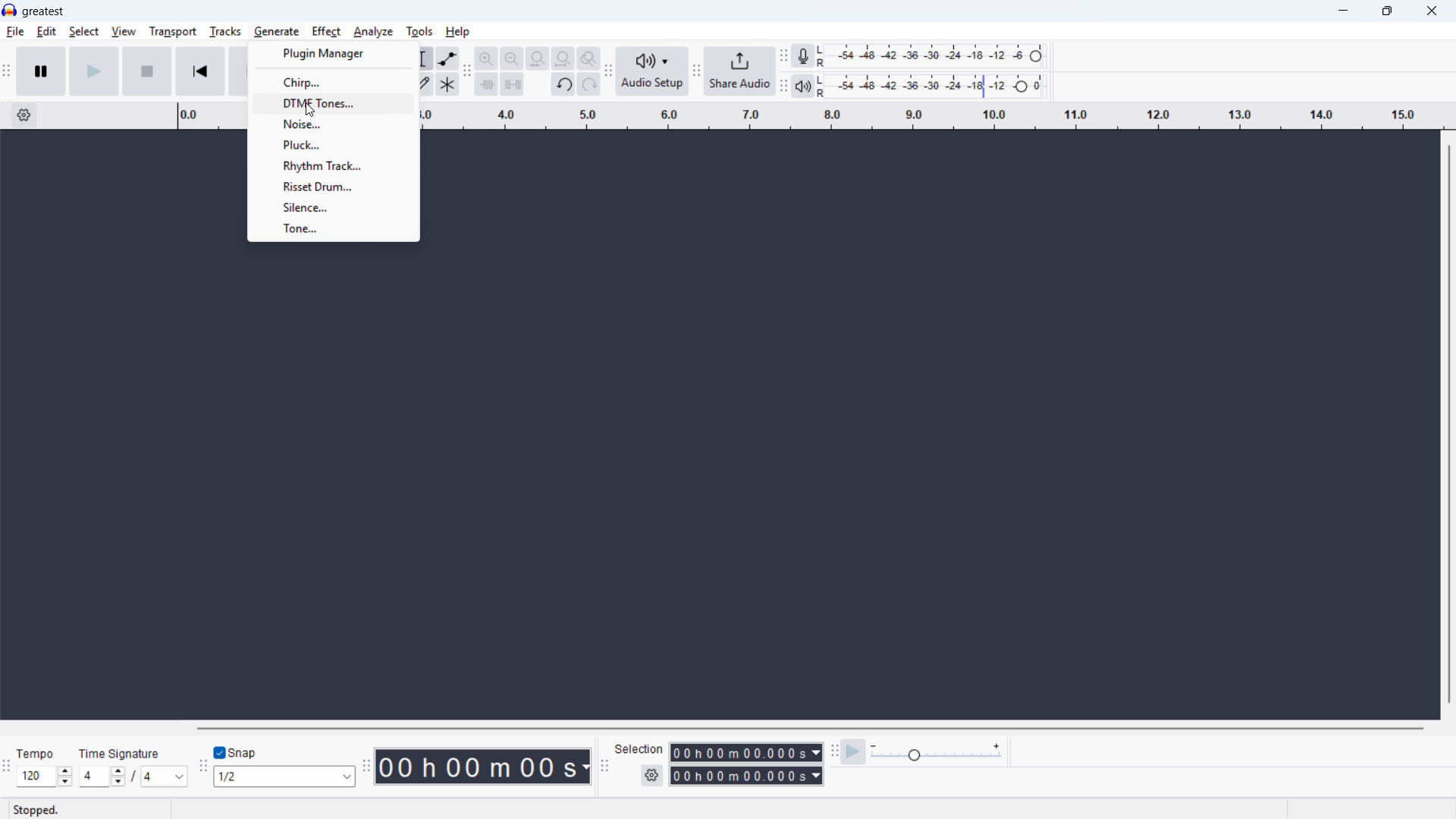 The width and height of the screenshot is (1456, 819). Describe the element at coordinates (200, 768) in the screenshot. I see `Snapping toolbar ` at that location.